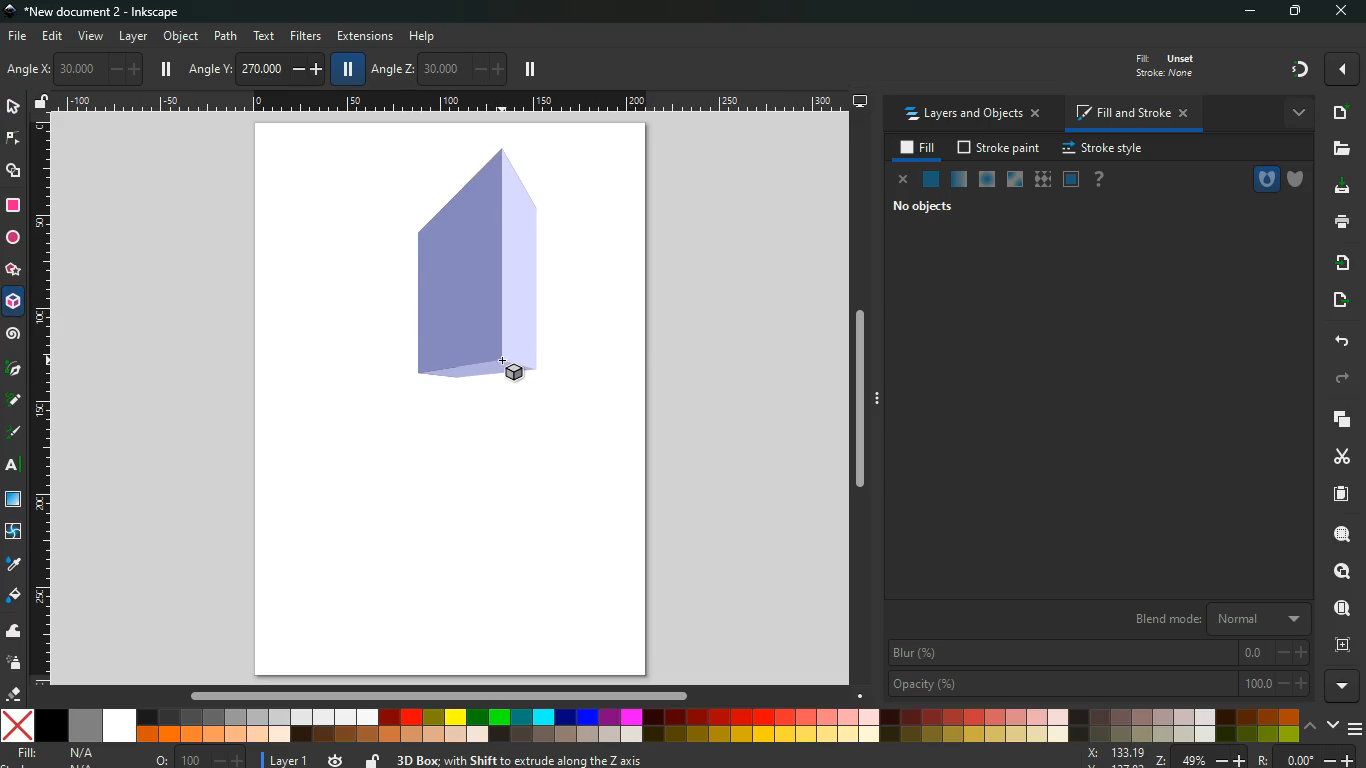 This screenshot has width=1366, height=768. I want to click on Ruler, so click(454, 102).